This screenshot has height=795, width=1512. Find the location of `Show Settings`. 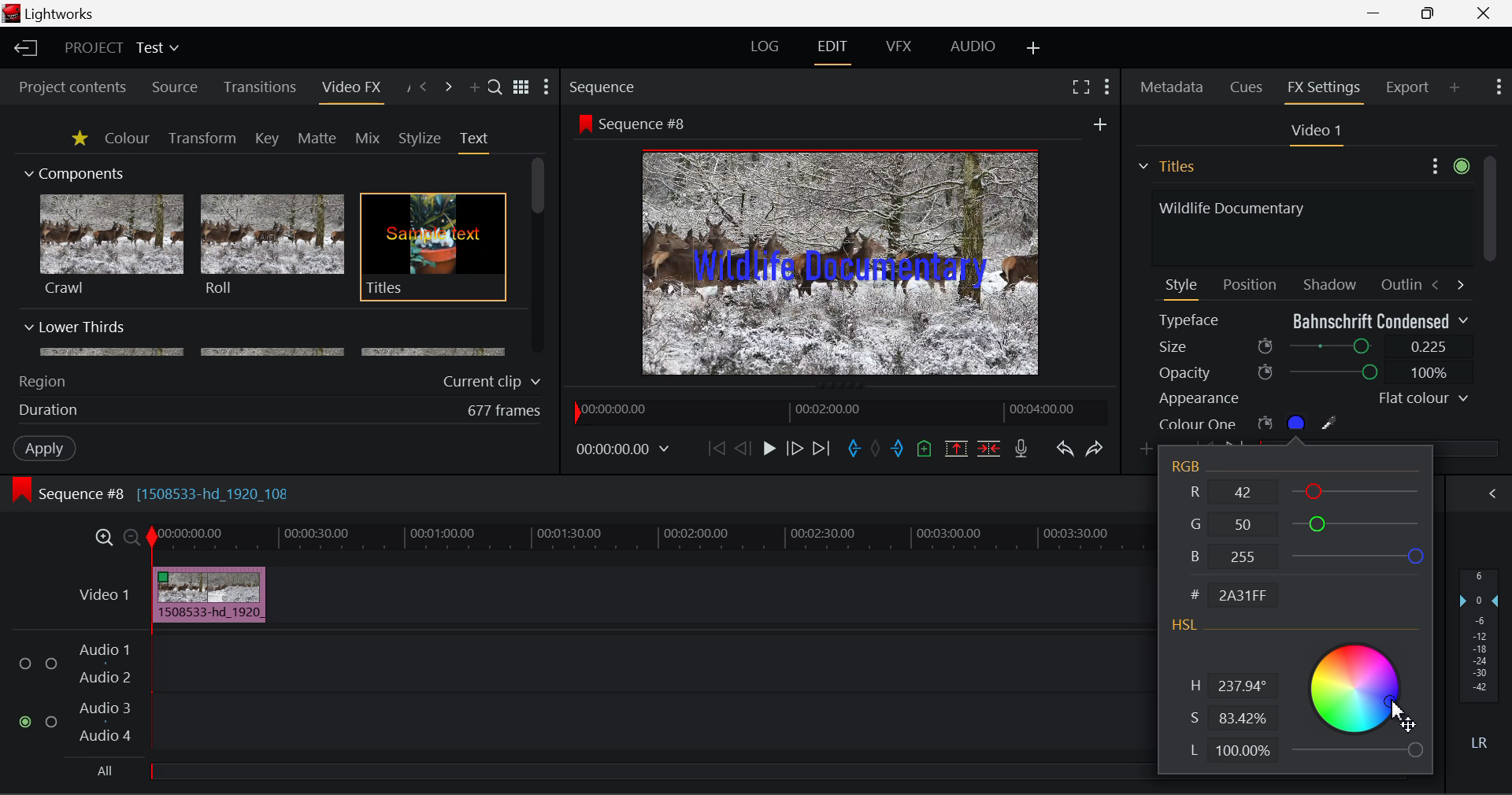

Show Settings is located at coordinates (547, 87).